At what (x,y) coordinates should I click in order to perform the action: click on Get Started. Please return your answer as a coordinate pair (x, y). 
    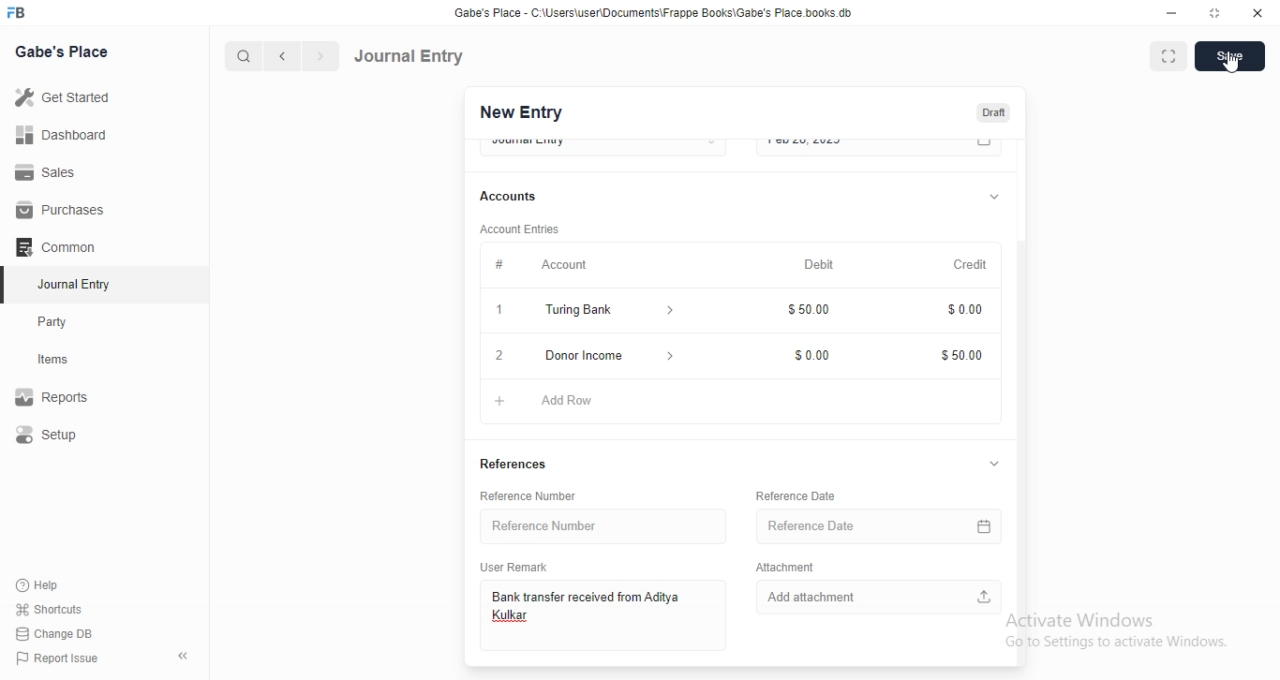
    Looking at the image, I should click on (67, 97).